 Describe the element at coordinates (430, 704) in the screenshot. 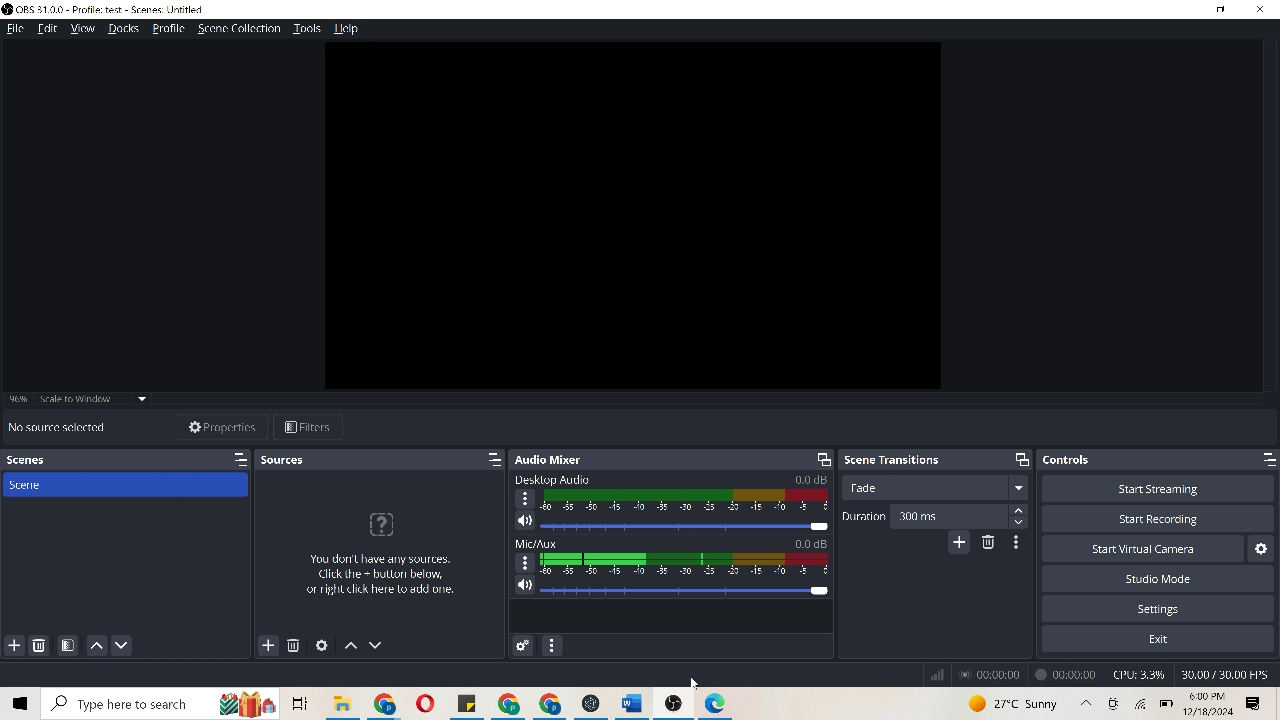

I see `opera` at that location.